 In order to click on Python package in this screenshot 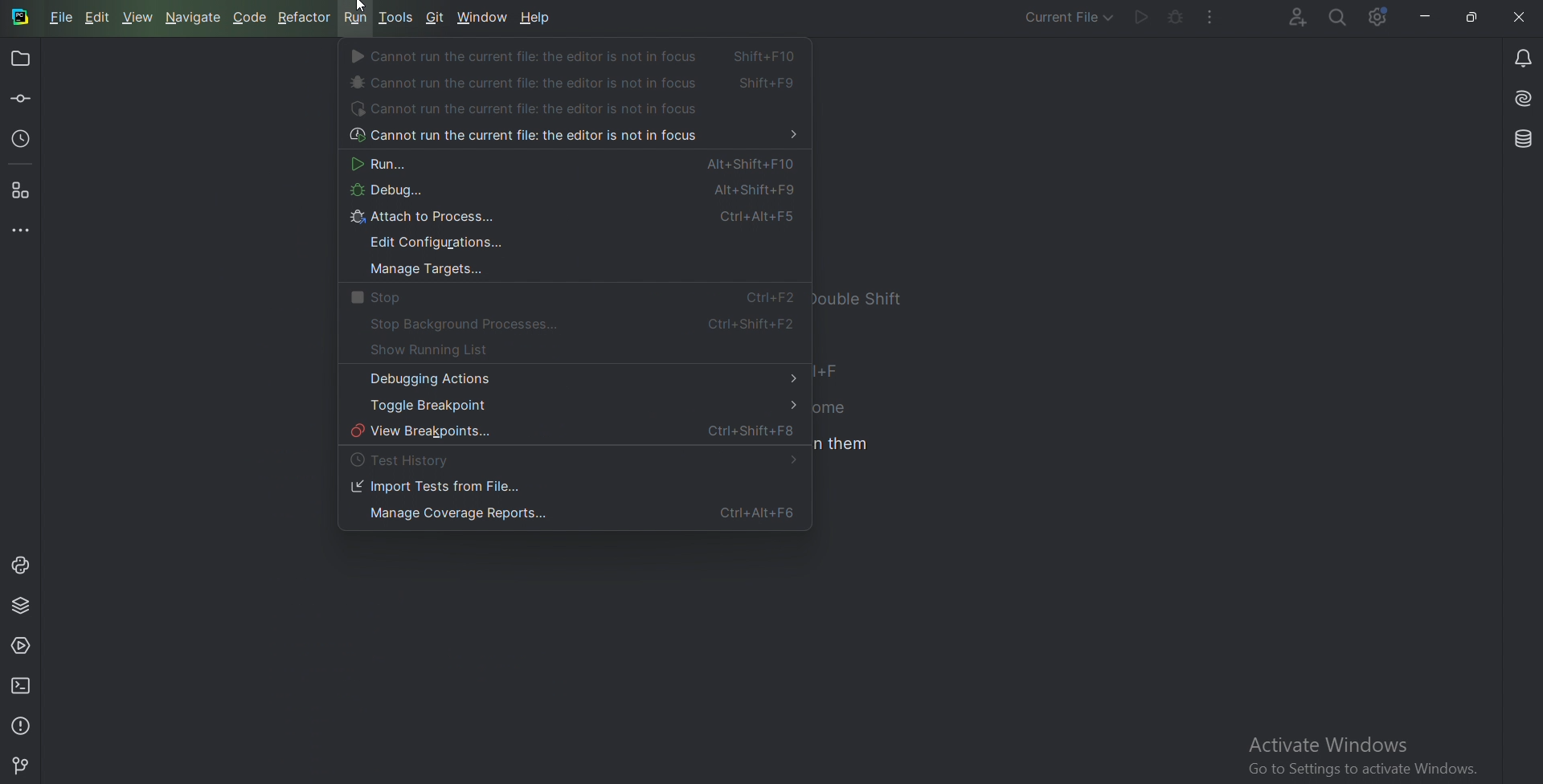, I will do `click(23, 606)`.